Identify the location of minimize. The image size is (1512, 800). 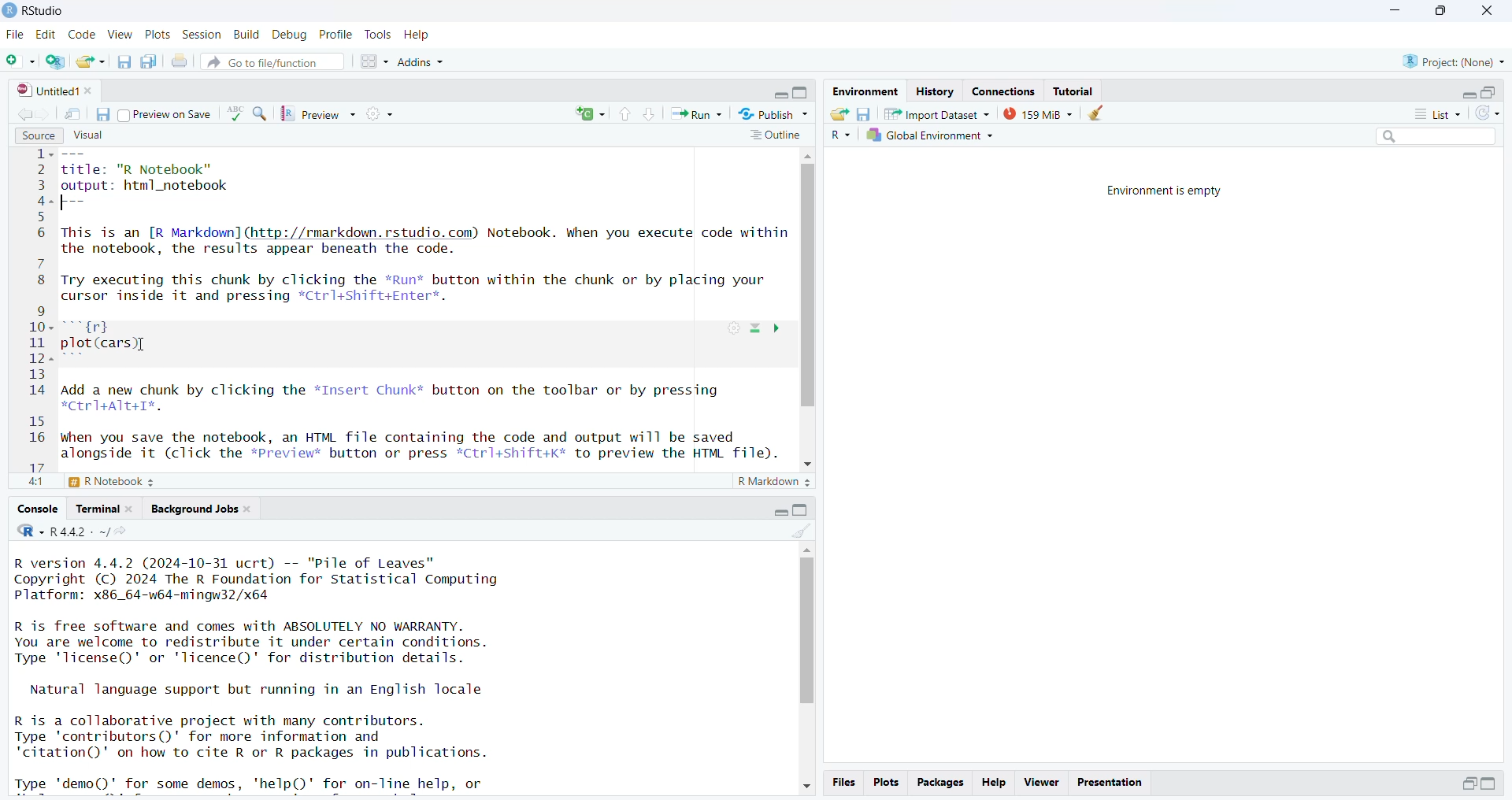
(1395, 12).